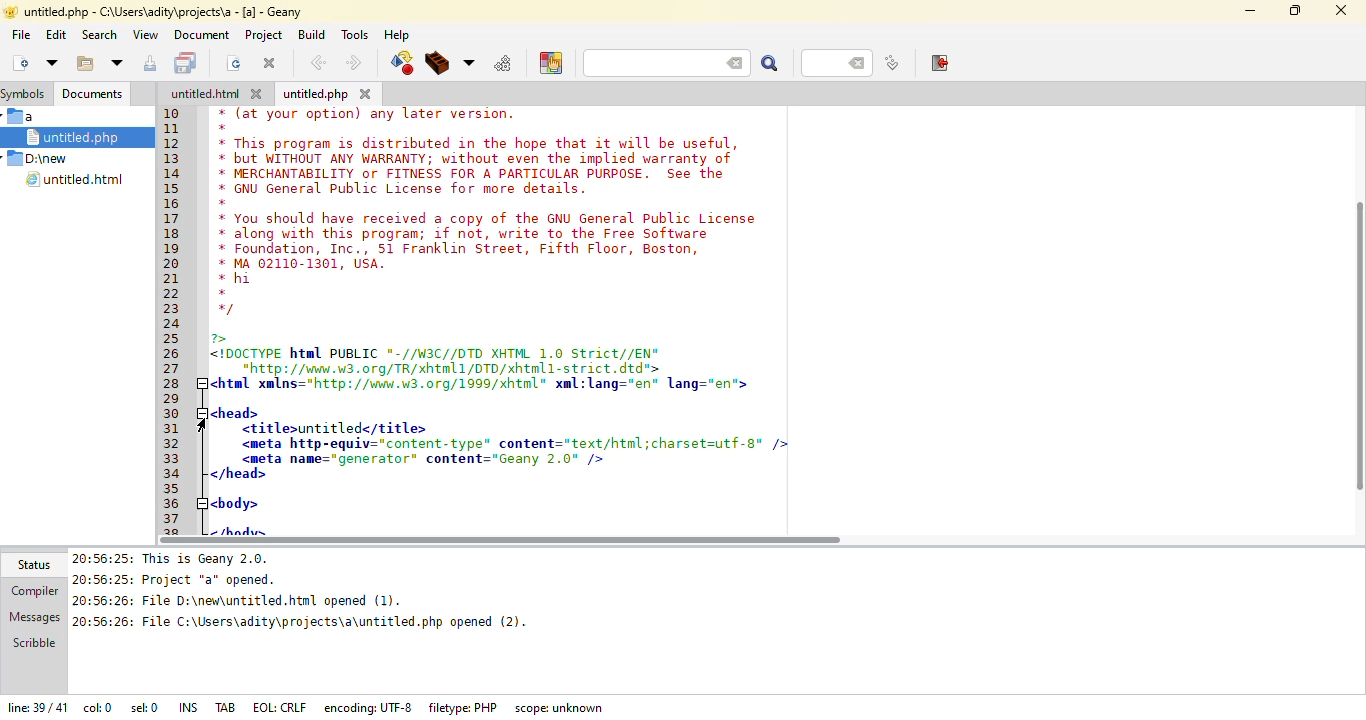 Image resolution: width=1366 pixels, height=720 pixels. Describe the element at coordinates (186, 63) in the screenshot. I see `save all` at that location.